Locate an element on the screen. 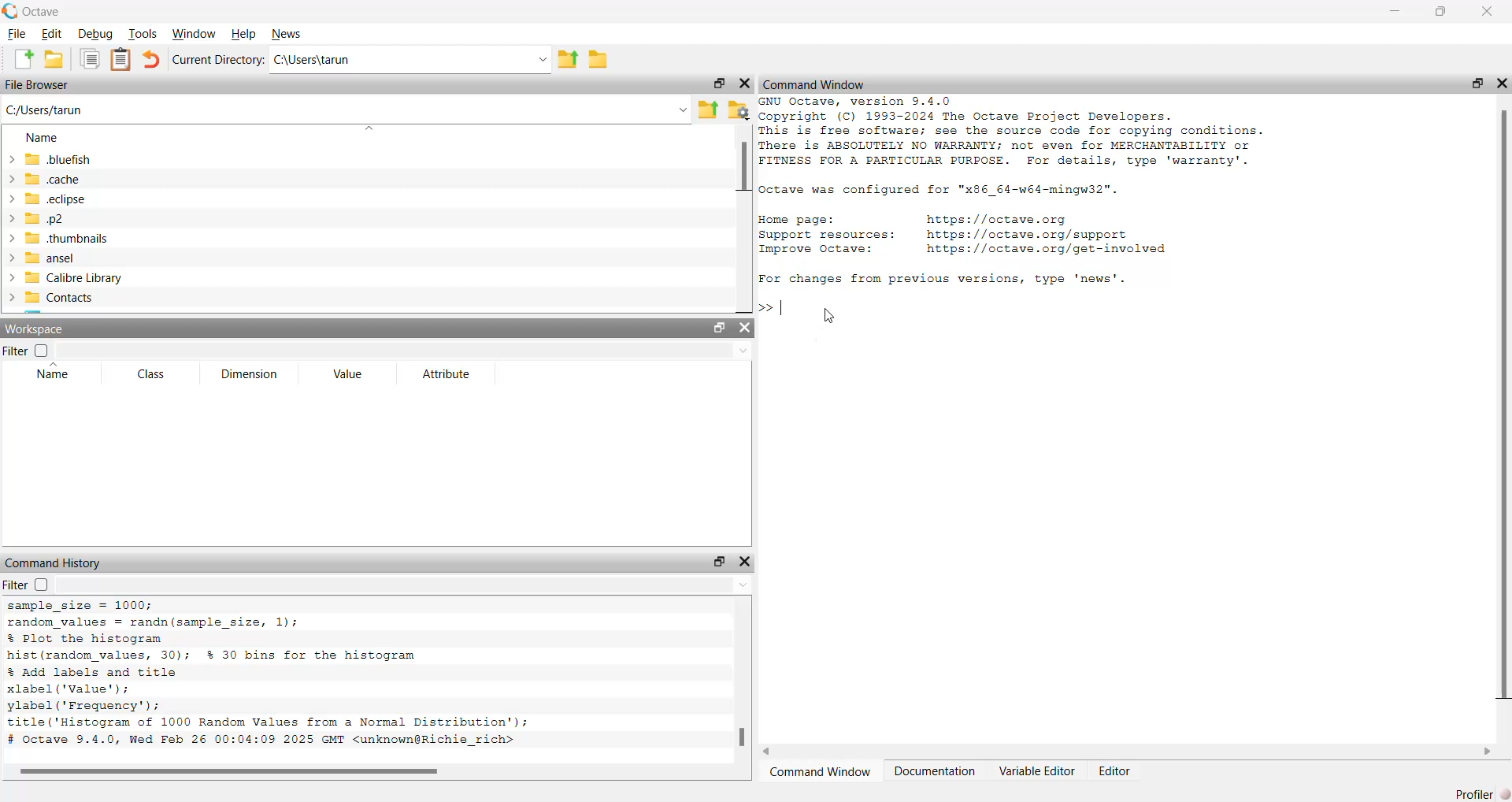 This screenshot has width=1512, height=802. scroll bar is located at coordinates (743, 167).